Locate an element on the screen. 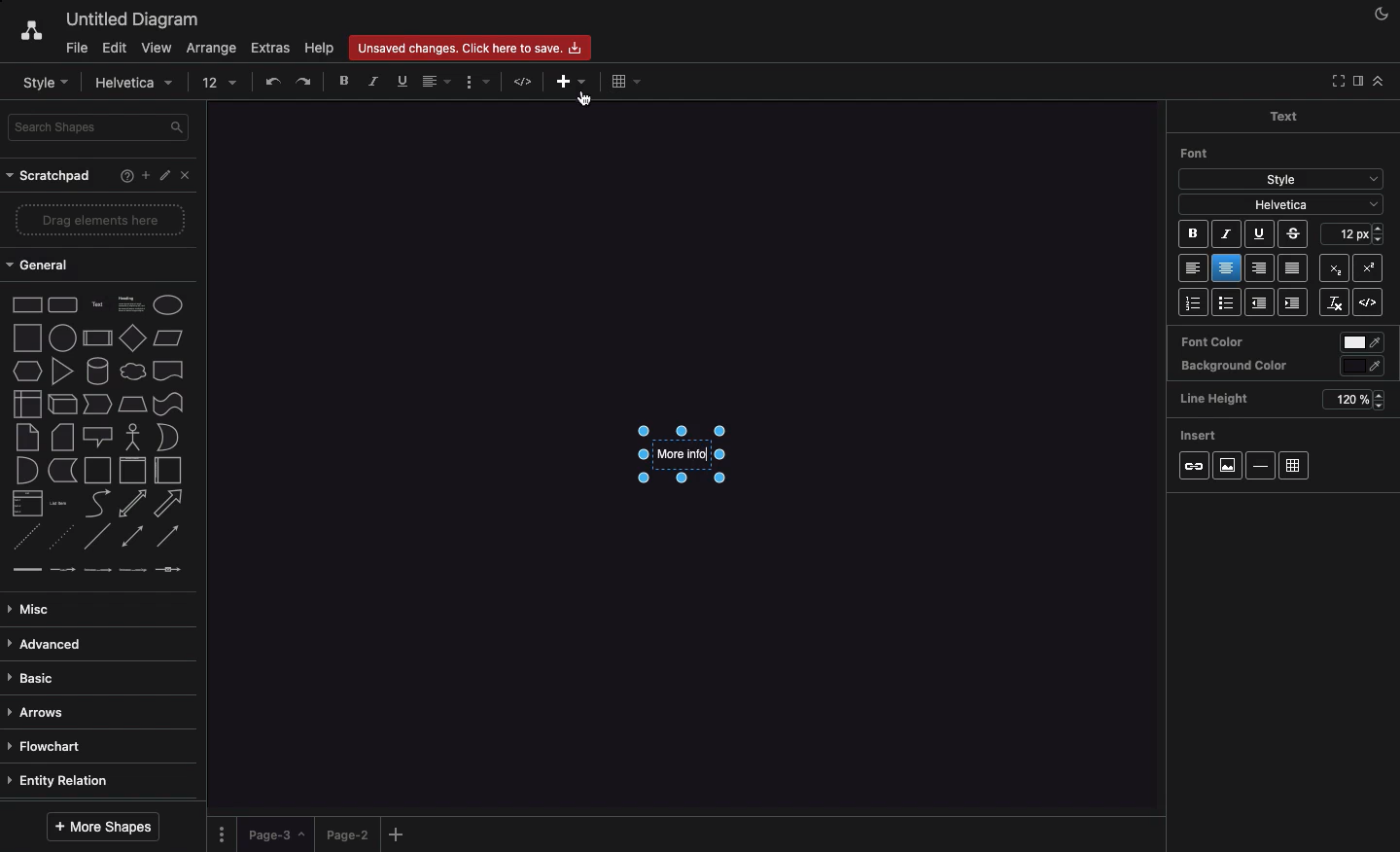  More info is located at coordinates (681, 454).